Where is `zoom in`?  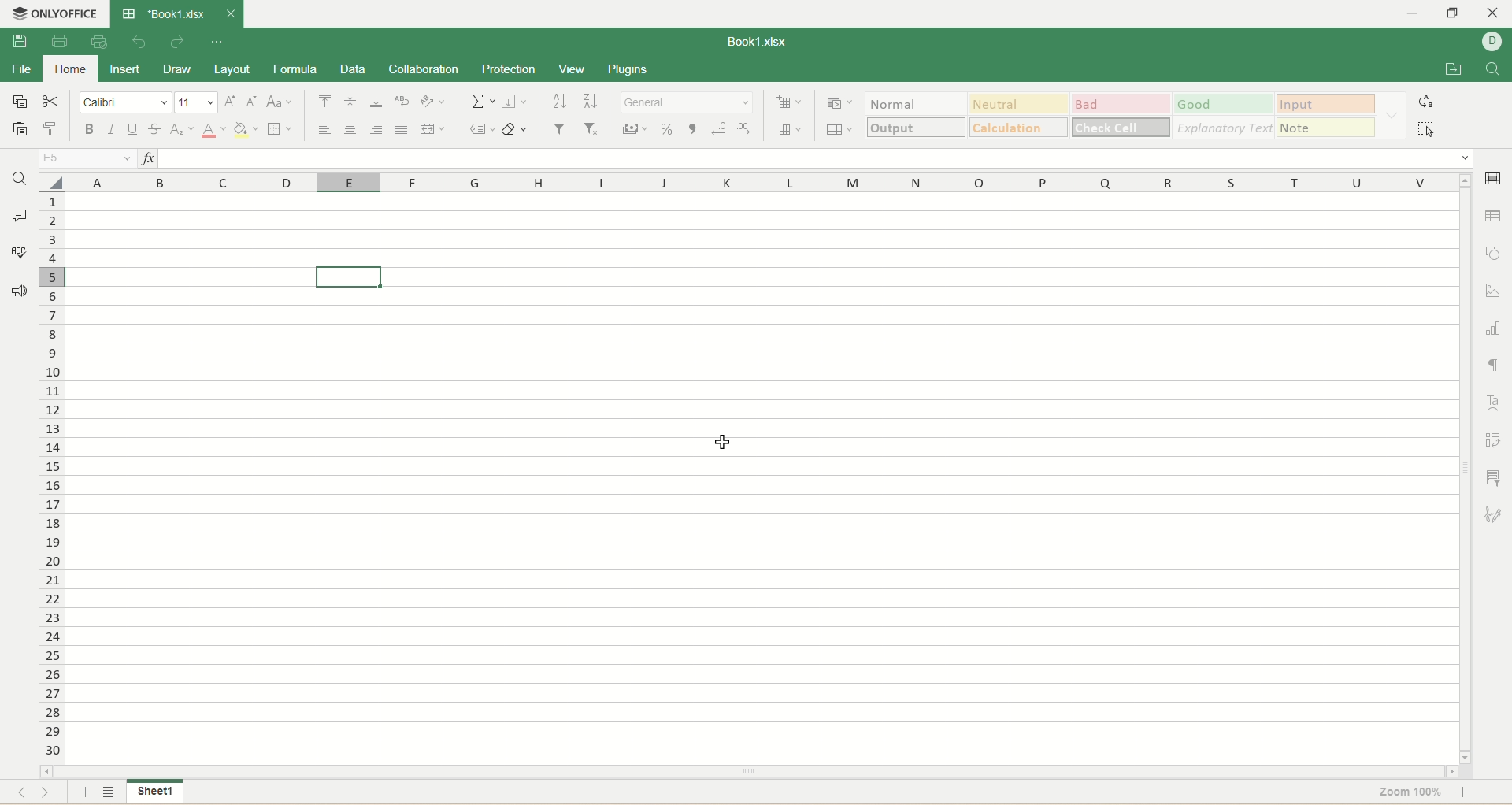 zoom in is located at coordinates (1469, 793).